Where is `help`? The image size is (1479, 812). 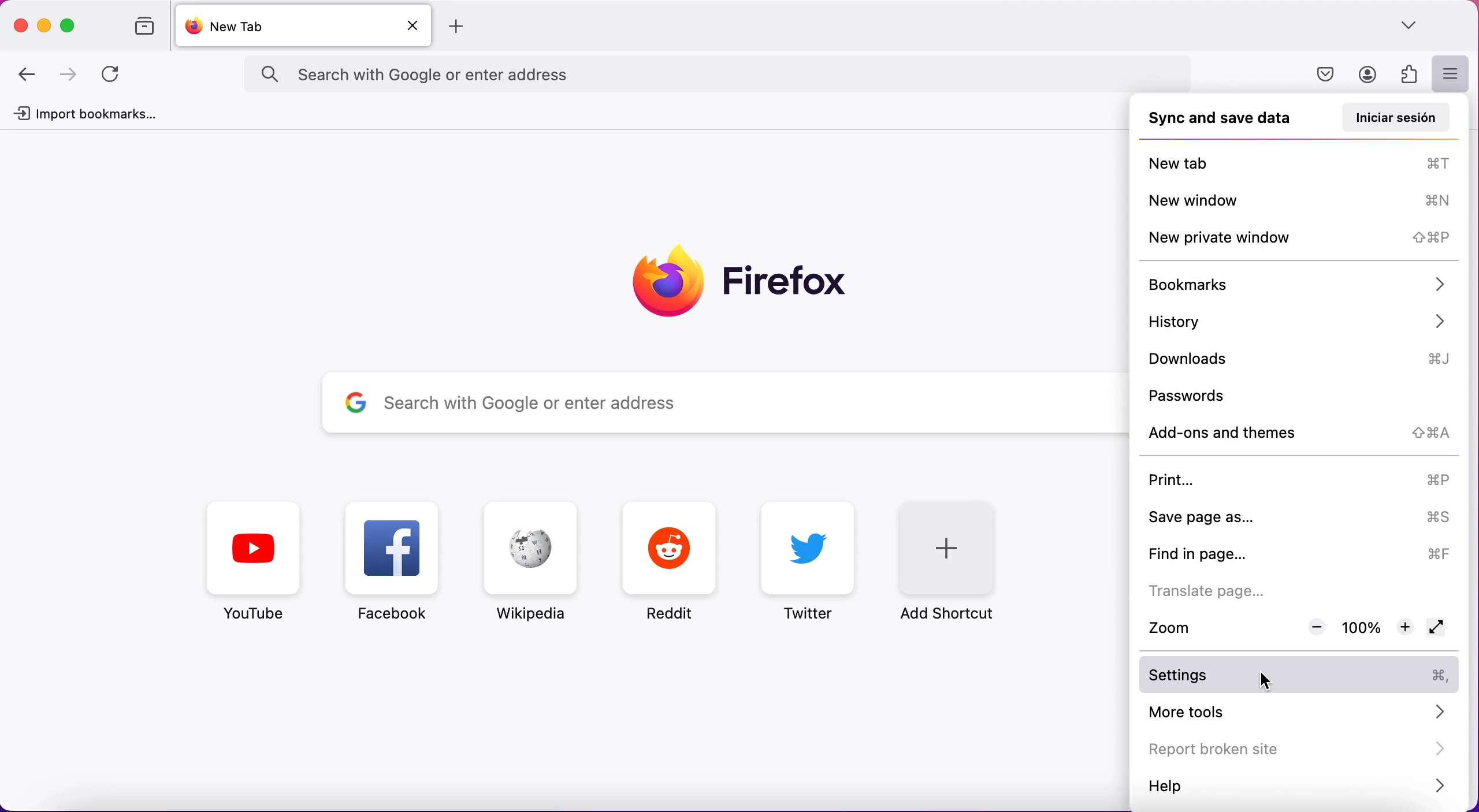 help is located at coordinates (1298, 787).